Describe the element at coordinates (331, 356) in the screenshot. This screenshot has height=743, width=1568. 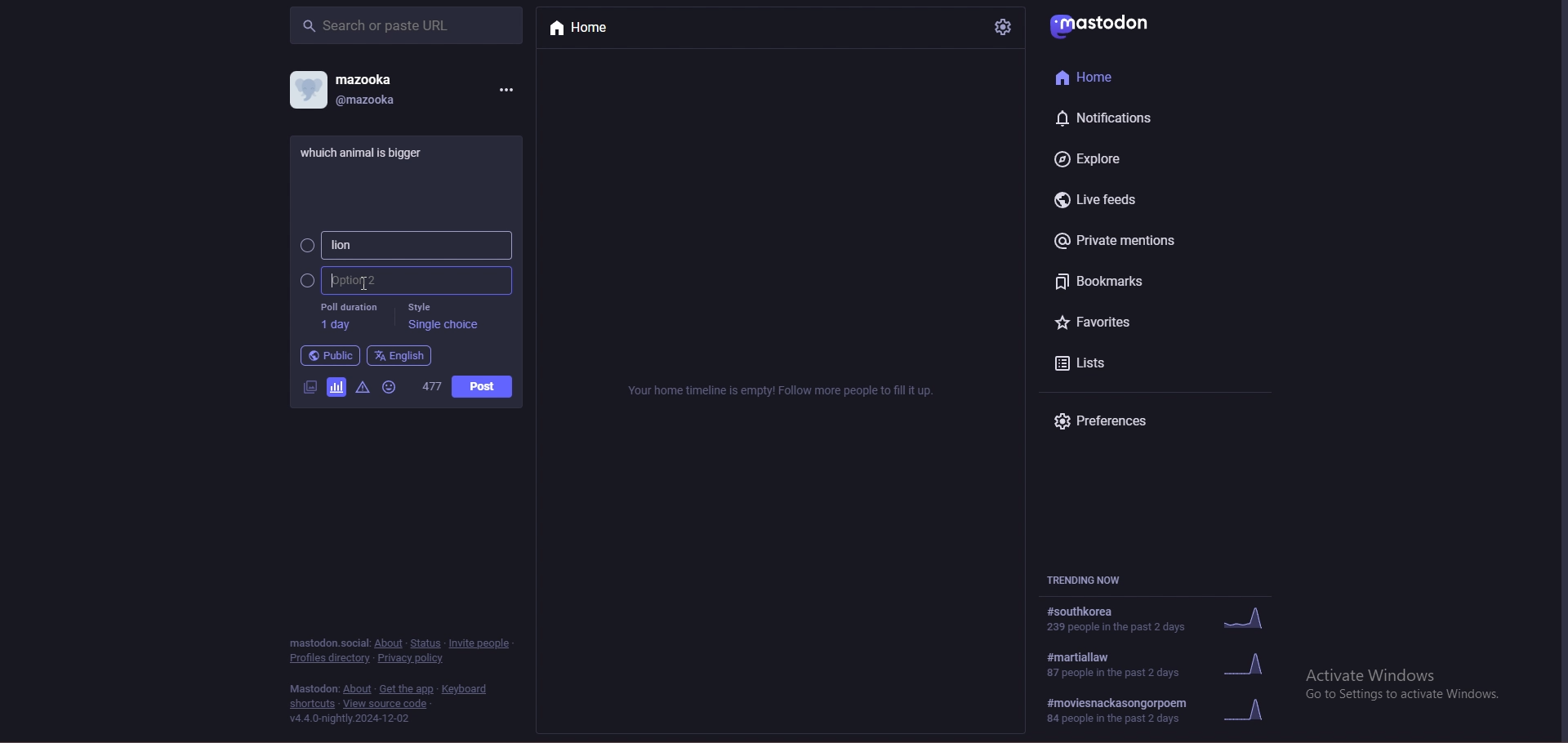
I see `public` at that location.